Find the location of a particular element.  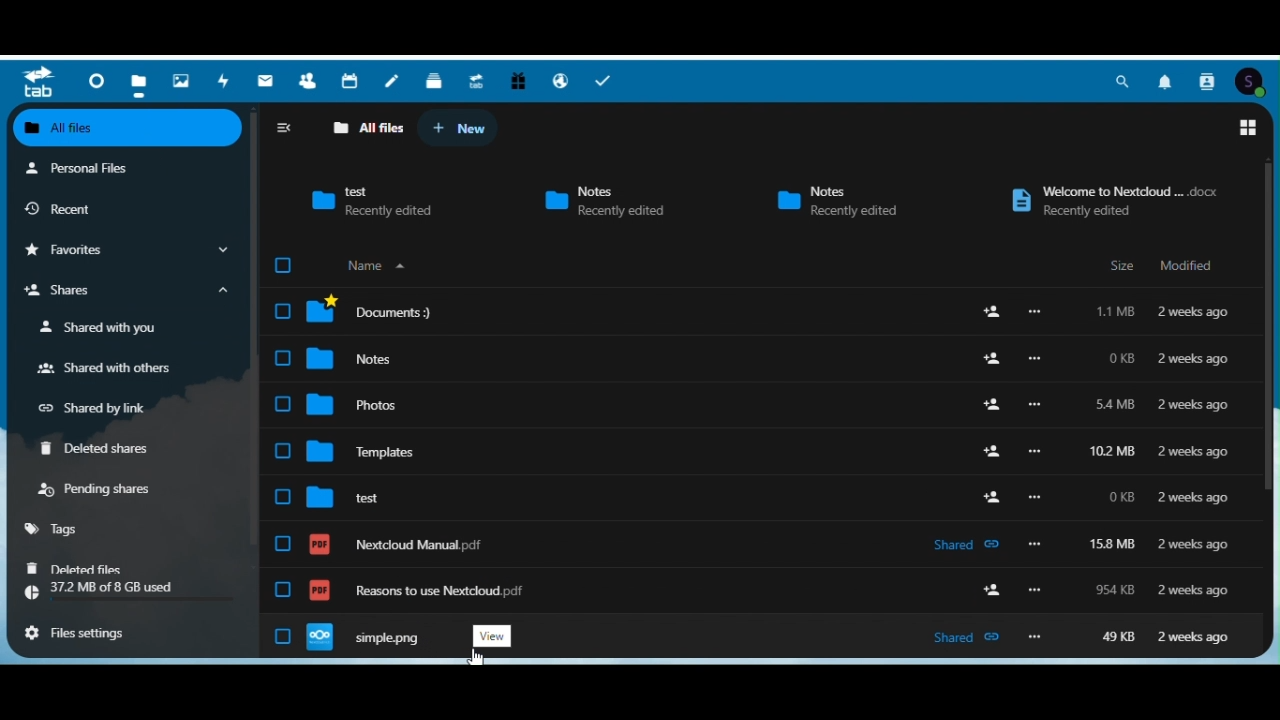

options is located at coordinates (1035, 405).